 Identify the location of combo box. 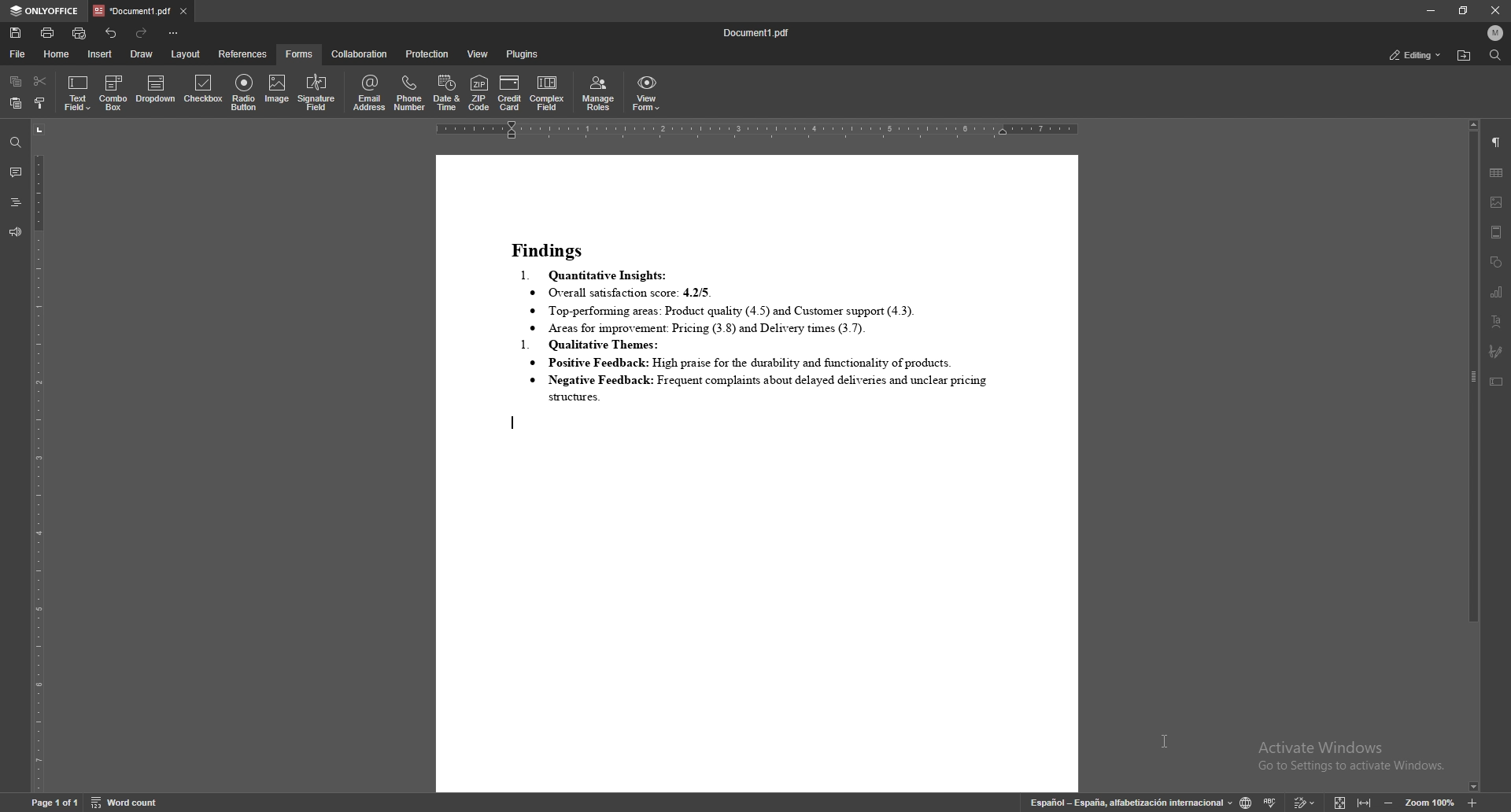
(114, 92).